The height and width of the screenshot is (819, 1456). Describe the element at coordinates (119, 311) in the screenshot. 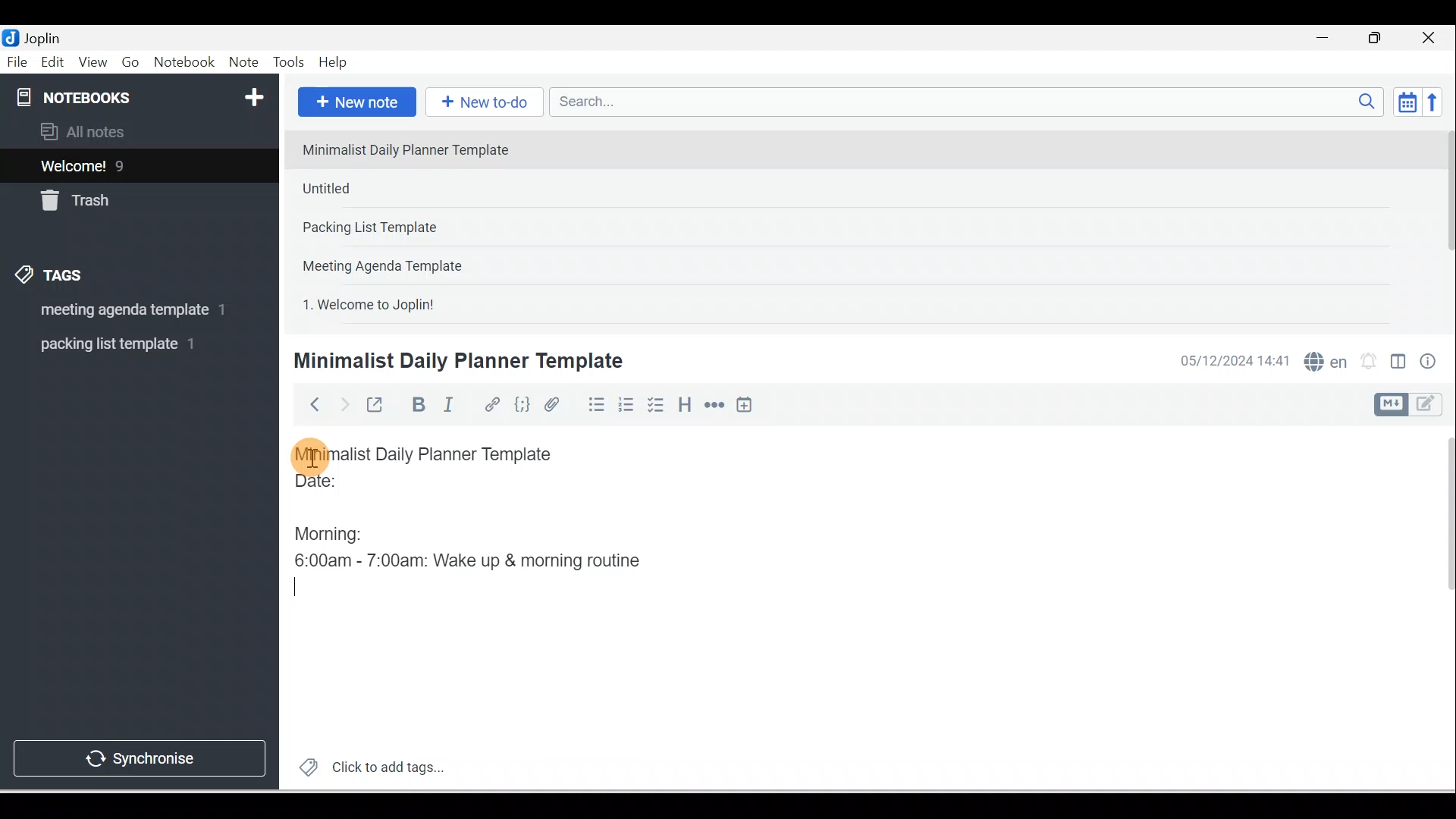

I see `Tag 1` at that location.